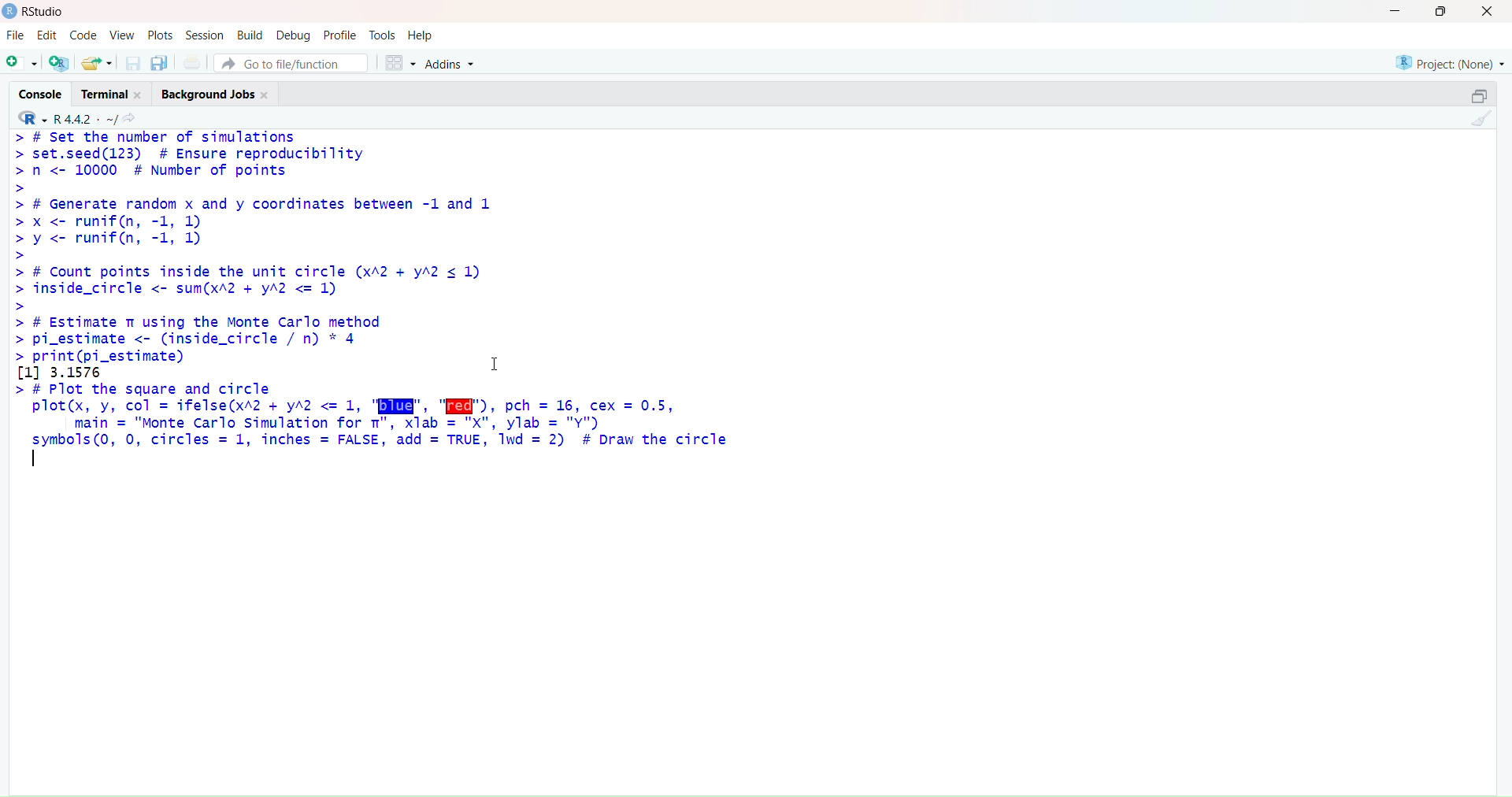 The height and width of the screenshot is (797, 1512). I want to click on Help, so click(424, 34).